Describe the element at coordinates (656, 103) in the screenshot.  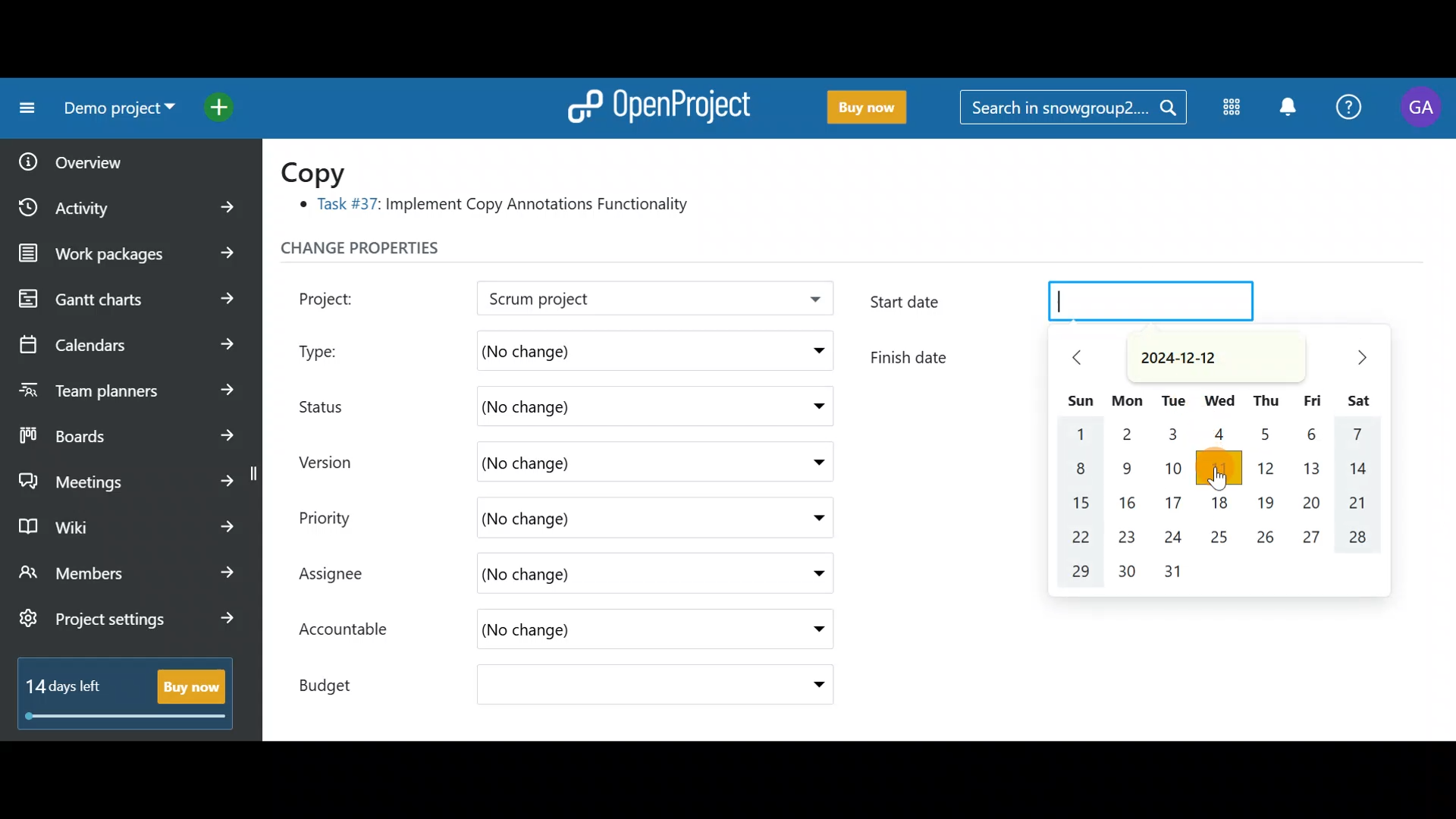
I see `OpenProject` at that location.